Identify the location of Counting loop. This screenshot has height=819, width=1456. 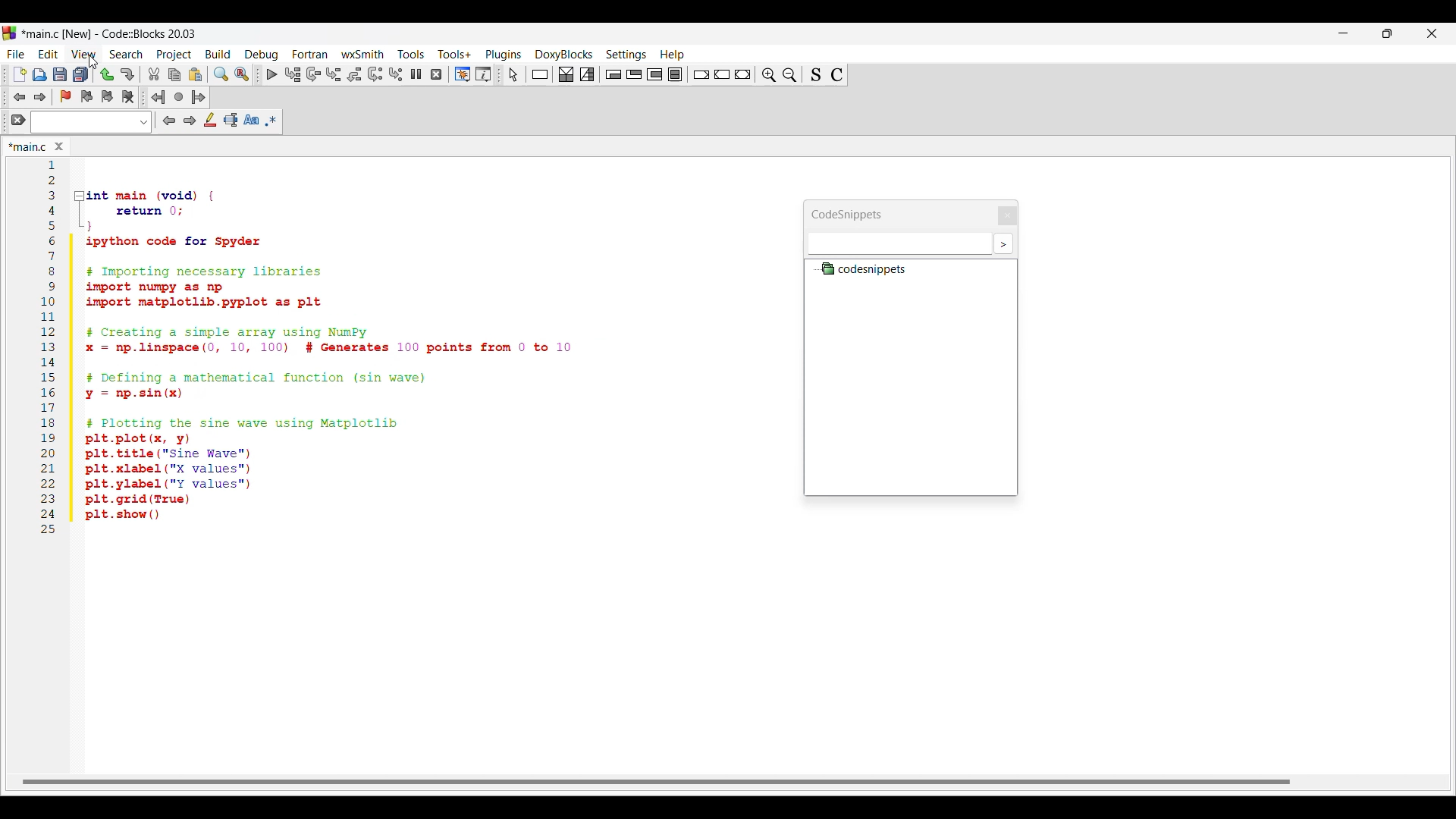
(654, 74).